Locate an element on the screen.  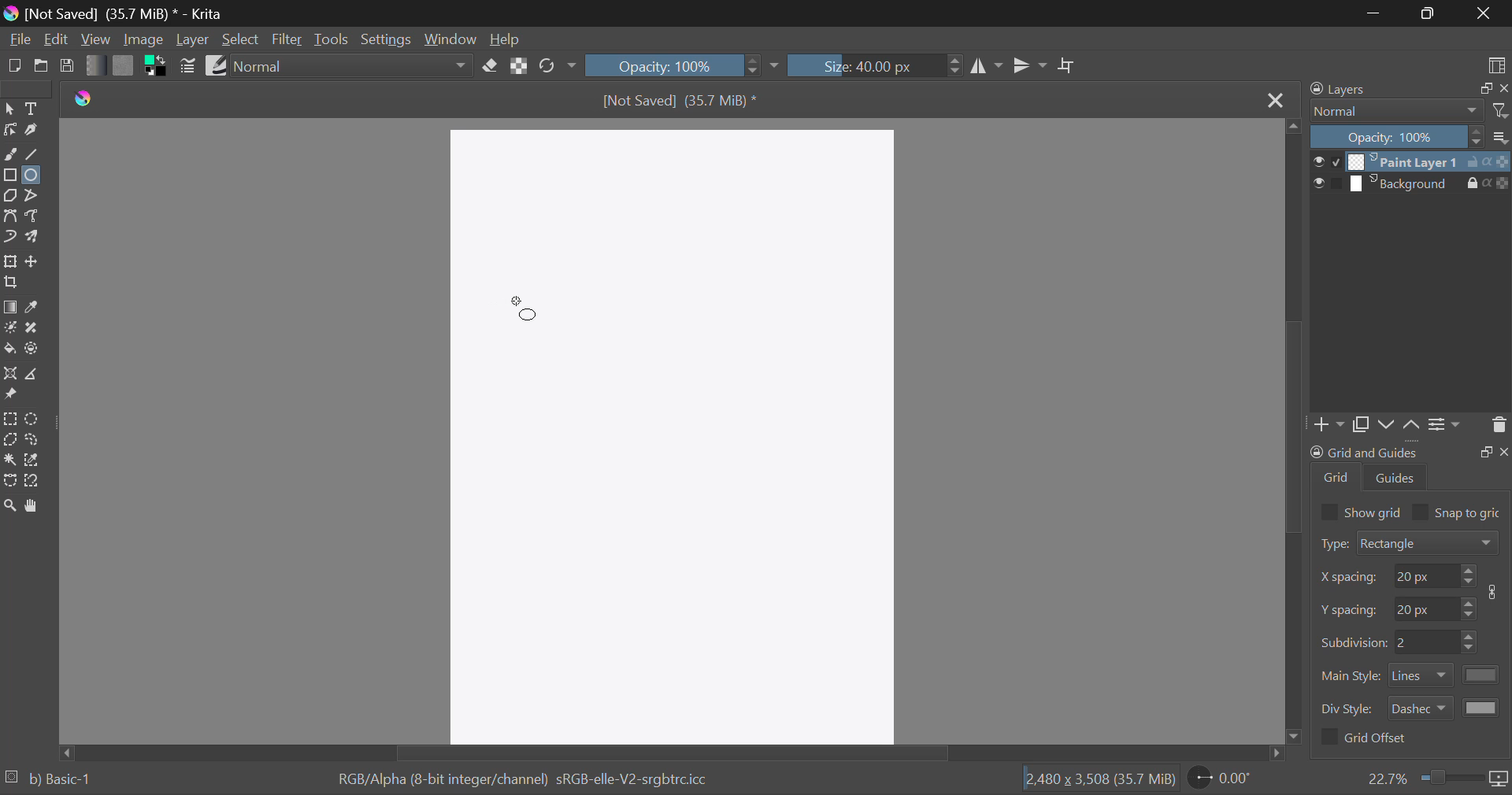
Calligraphic Tool is located at coordinates (32, 130).